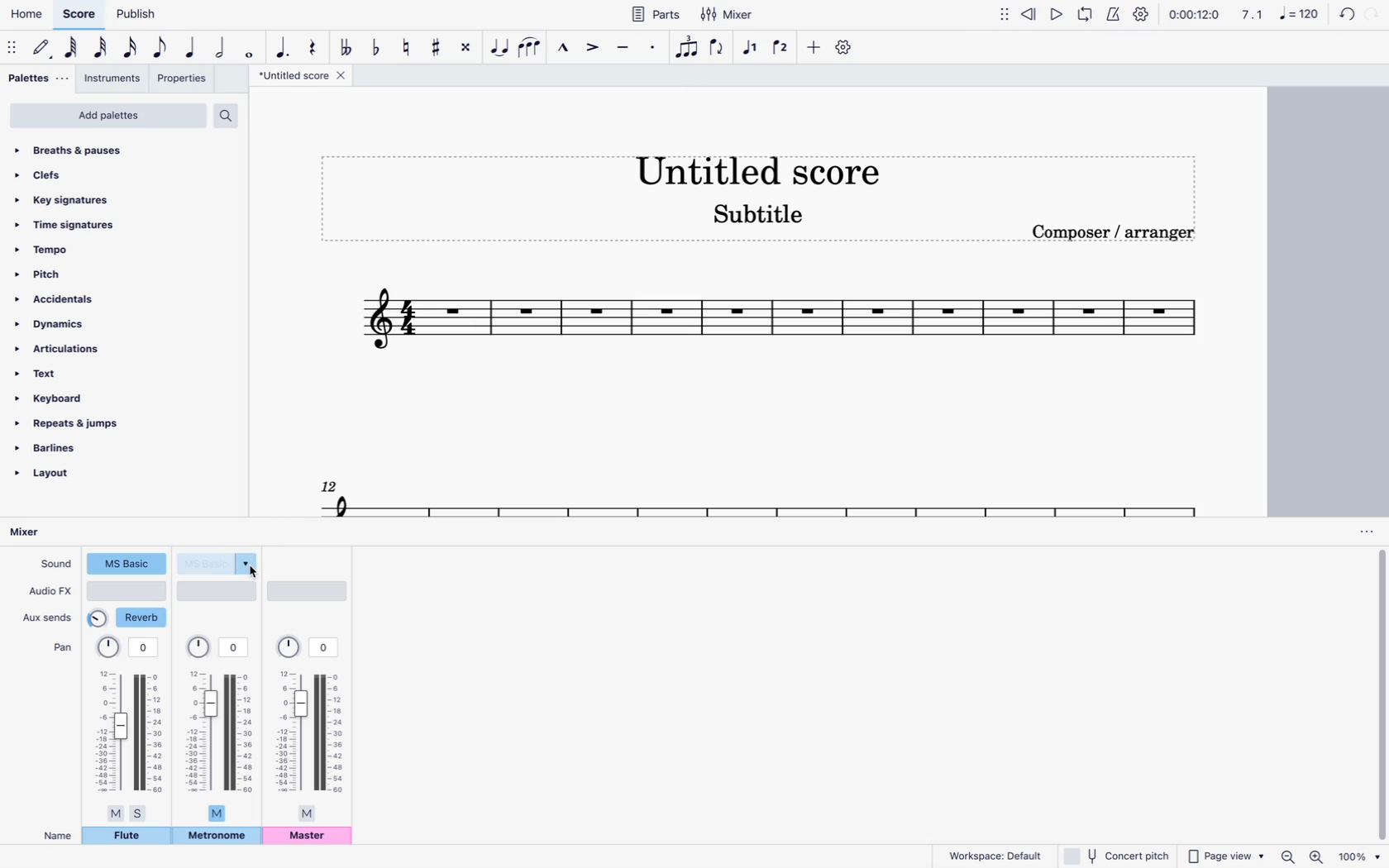 The width and height of the screenshot is (1389, 868). I want to click on accidentals, so click(91, 298).